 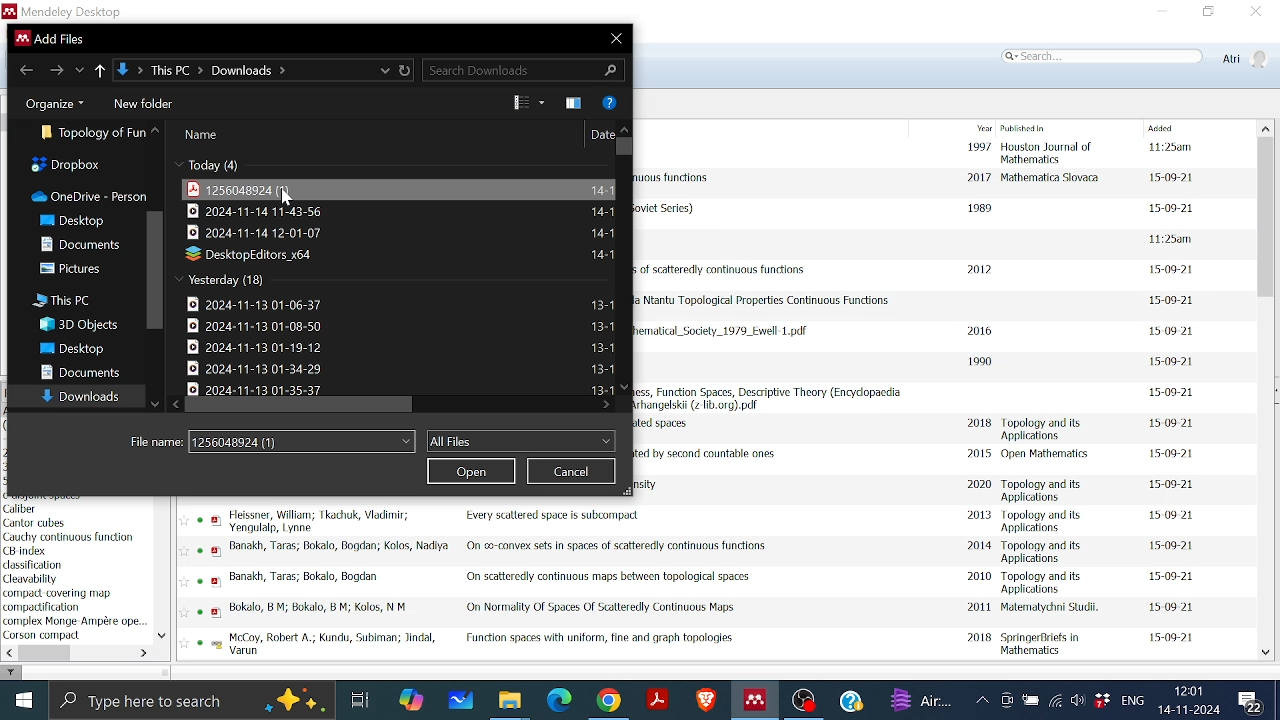 What do you see at coordinates (202, 553) in the screenshot?
I see `read status` at bounding box center [202, 553].